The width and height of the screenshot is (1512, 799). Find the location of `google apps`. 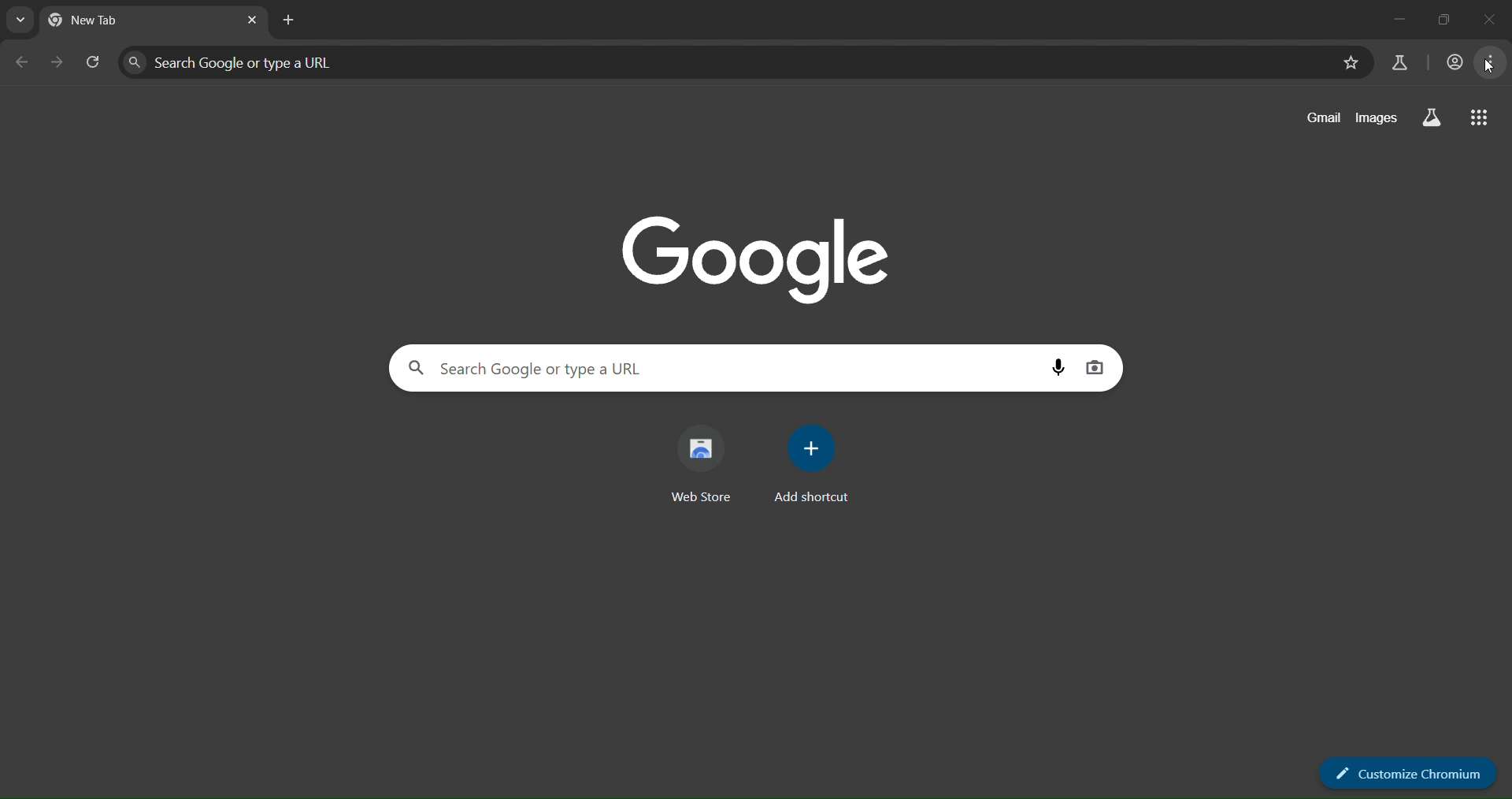

google apps is located at coordinates (1478, 117).